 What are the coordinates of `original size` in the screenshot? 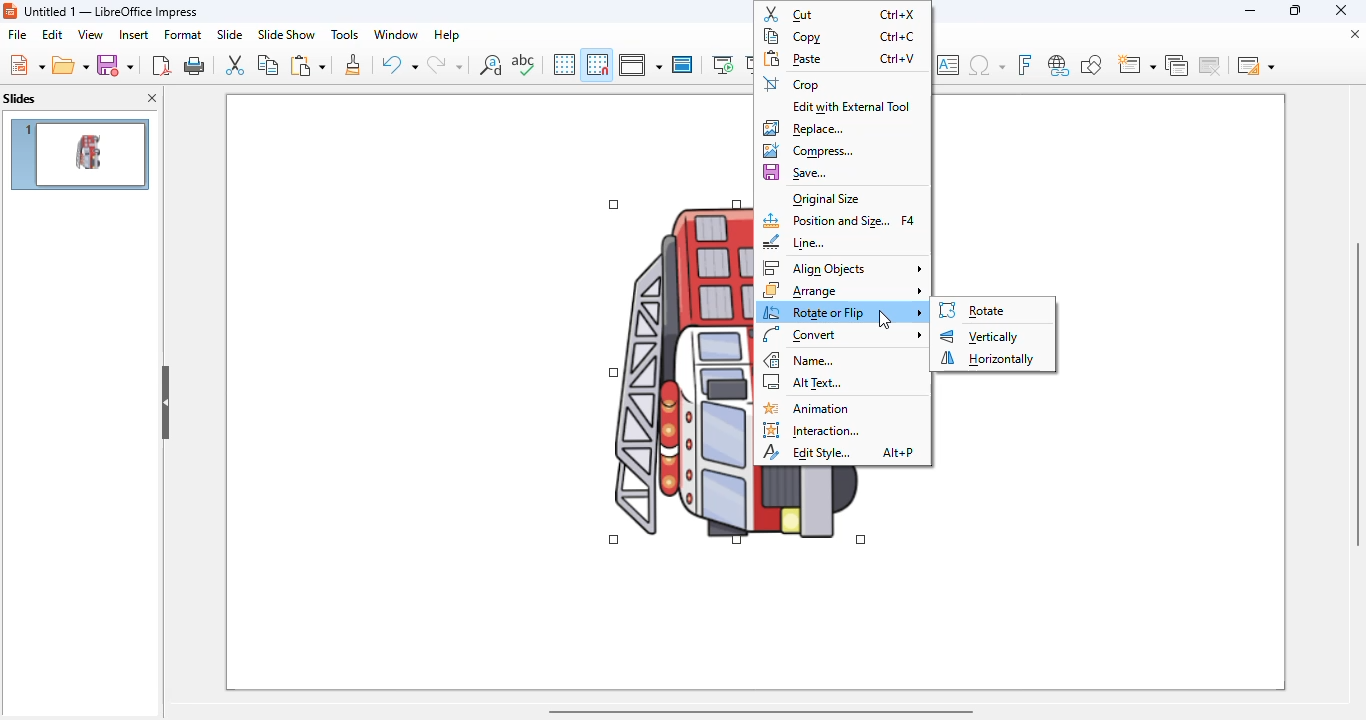 It's located at (825, 197).